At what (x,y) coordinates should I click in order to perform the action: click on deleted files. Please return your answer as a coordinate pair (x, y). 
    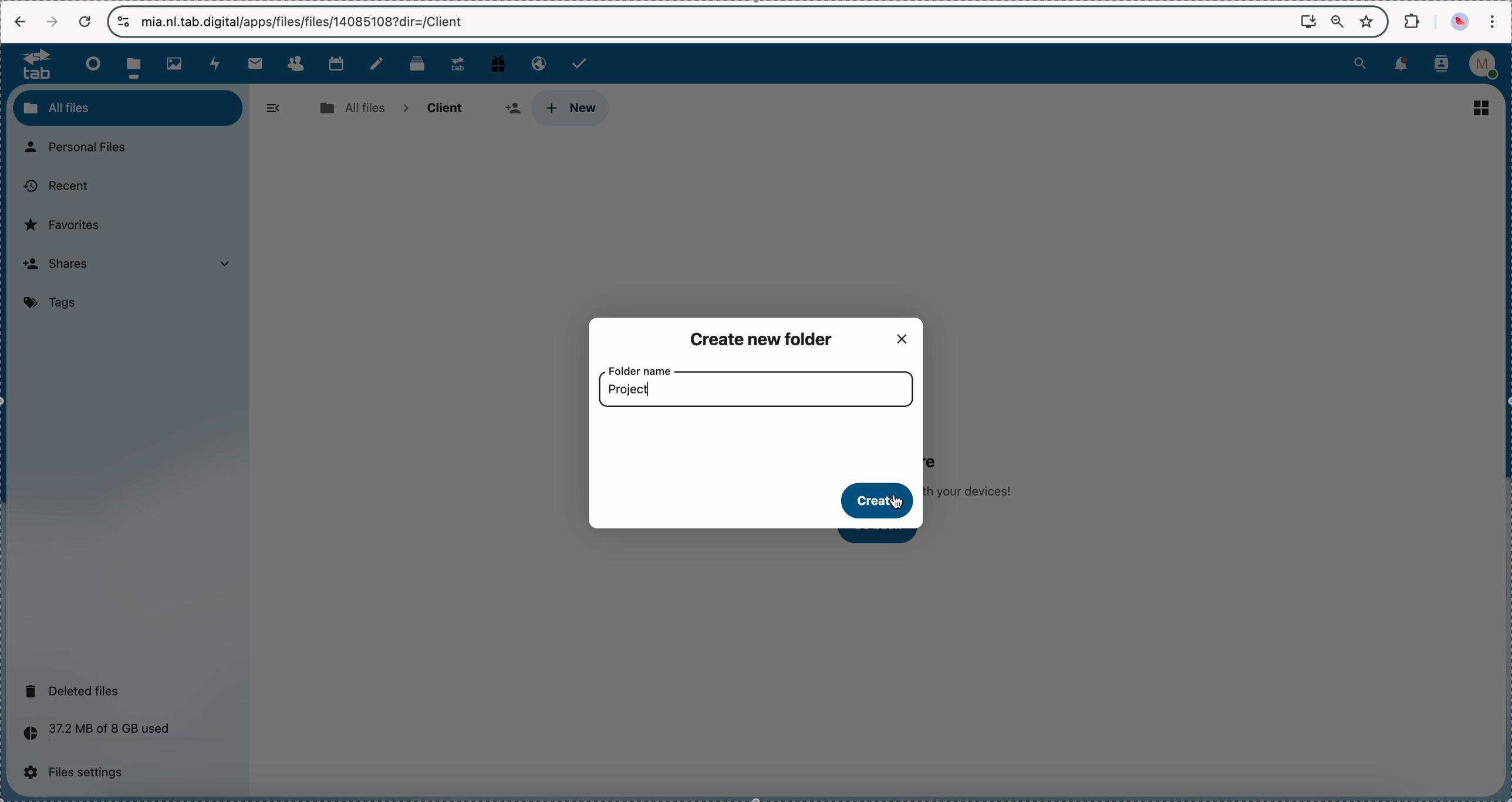
    Looking at the image, I should click on (76, 690).